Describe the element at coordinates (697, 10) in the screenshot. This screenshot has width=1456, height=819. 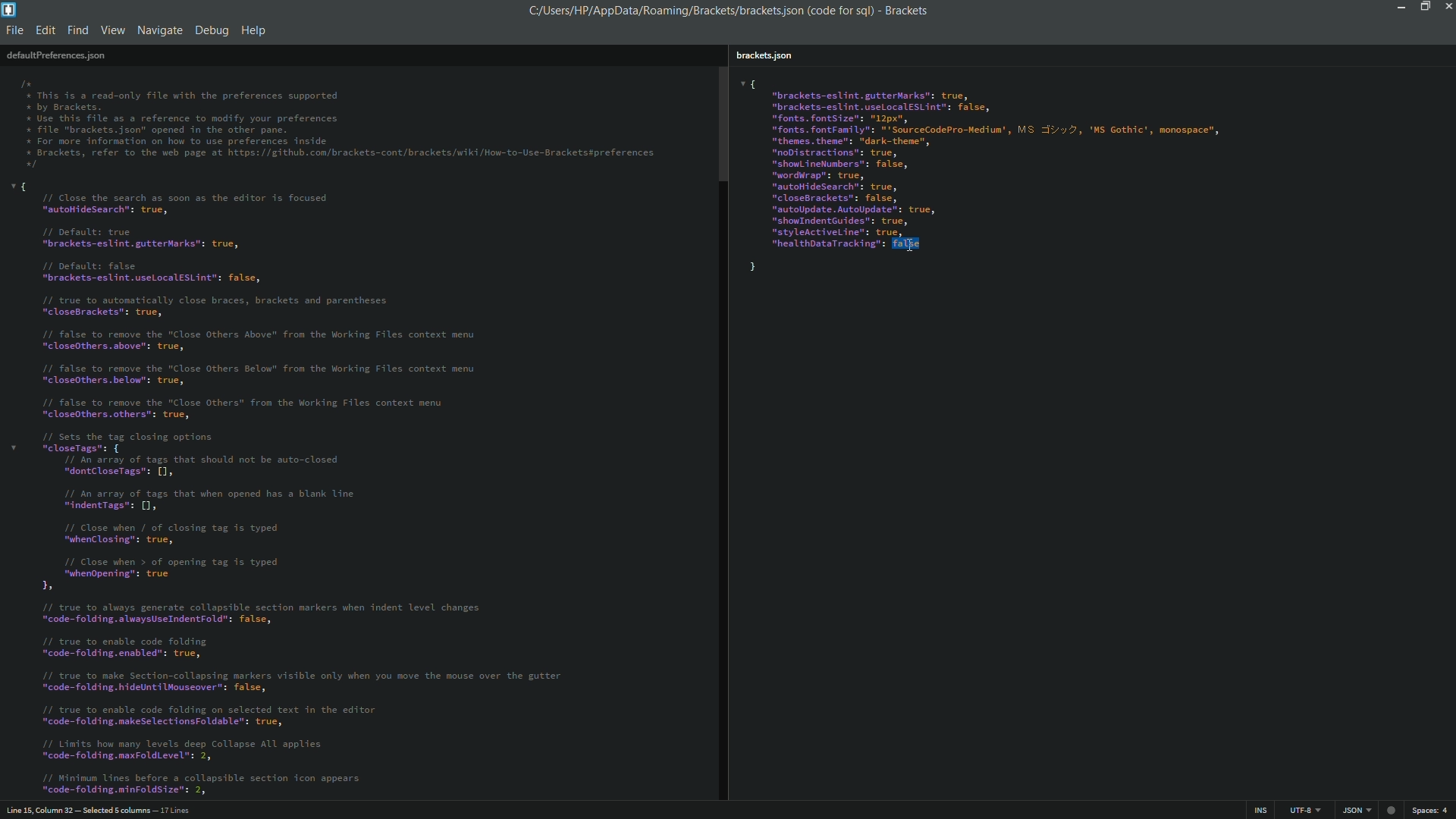
I see `File path` at that location.